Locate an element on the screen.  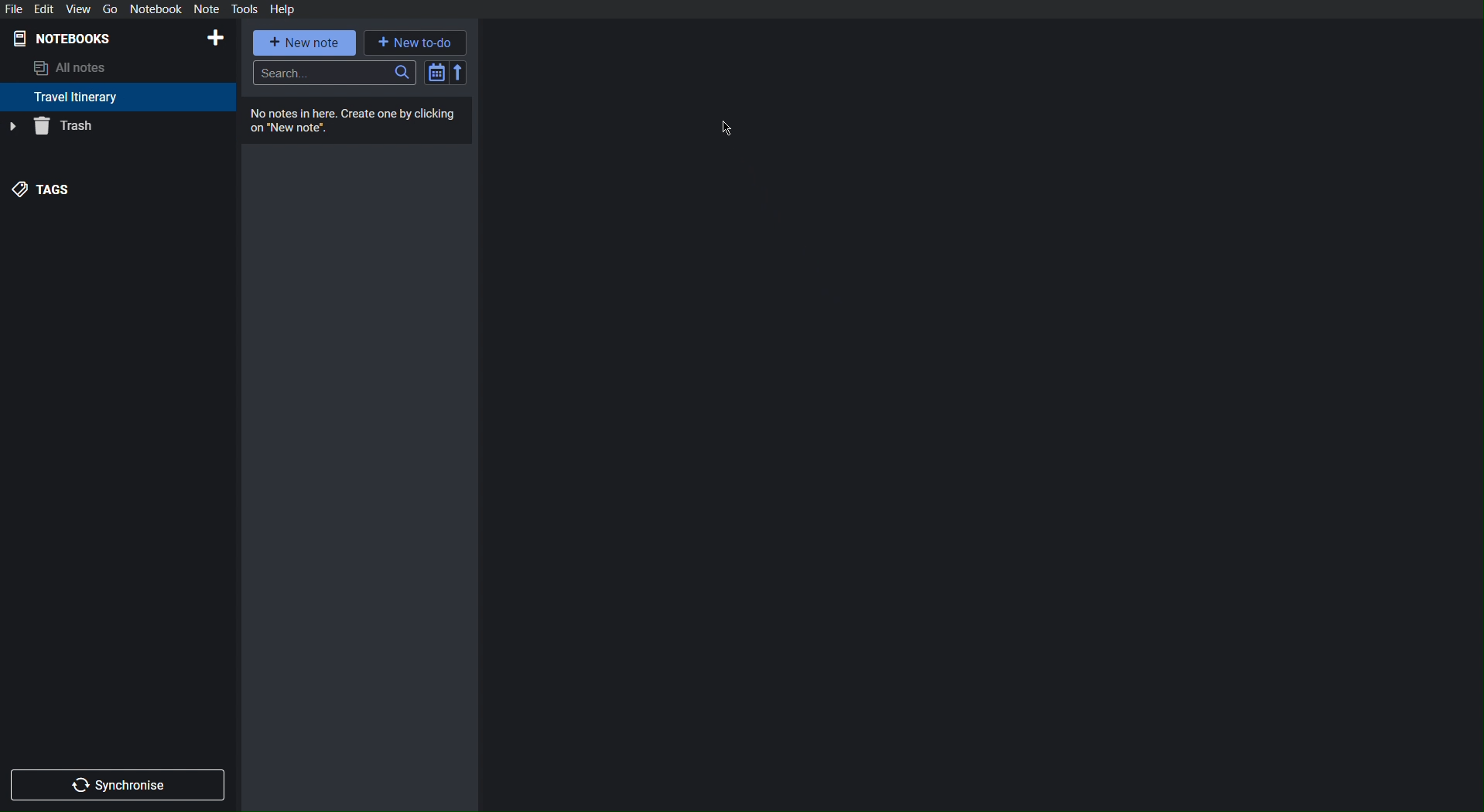
Synchronize is located at coordinates (118, 784).